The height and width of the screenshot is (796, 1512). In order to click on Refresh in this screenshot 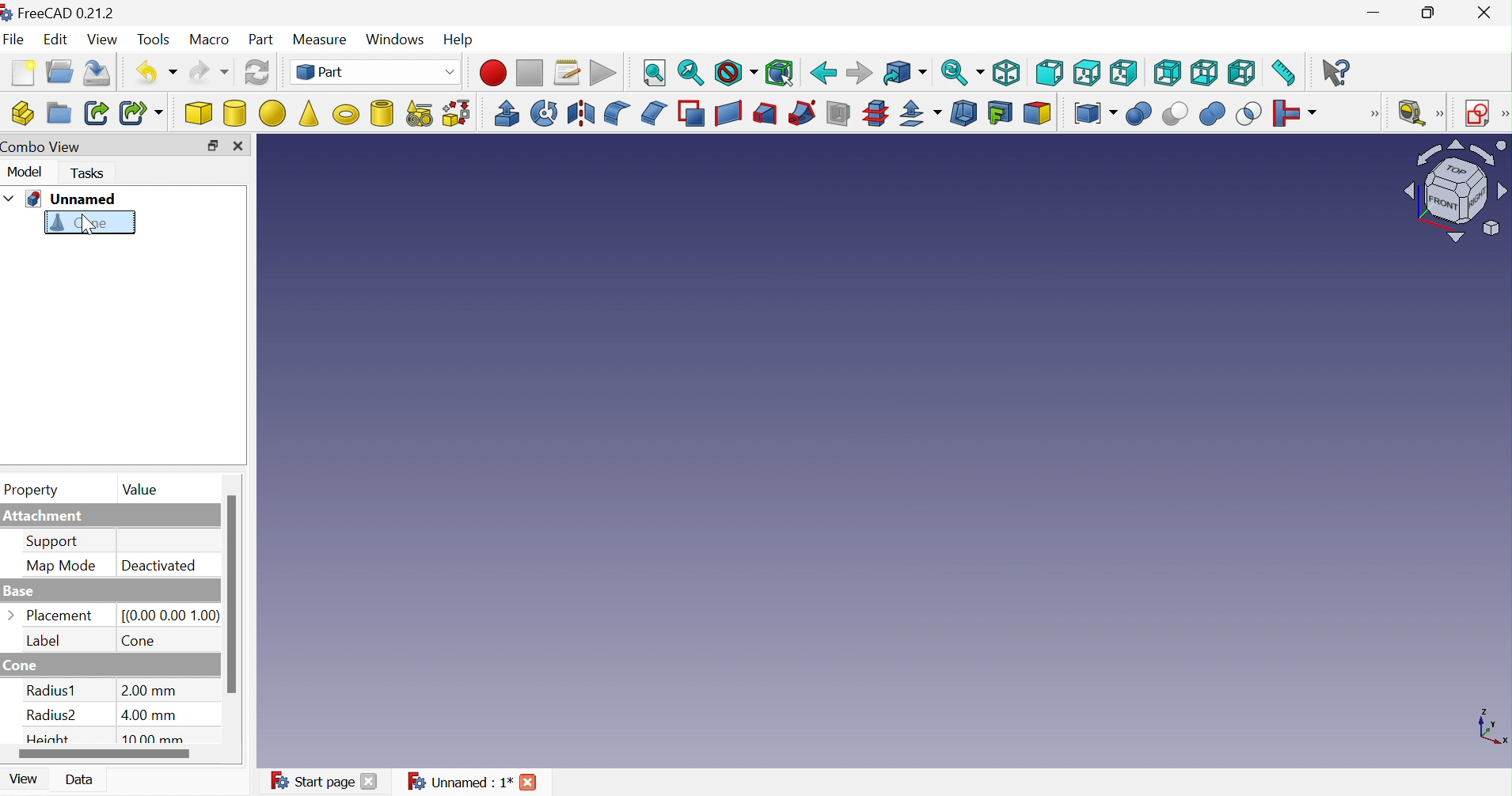, I will do `click(257, 74)`.